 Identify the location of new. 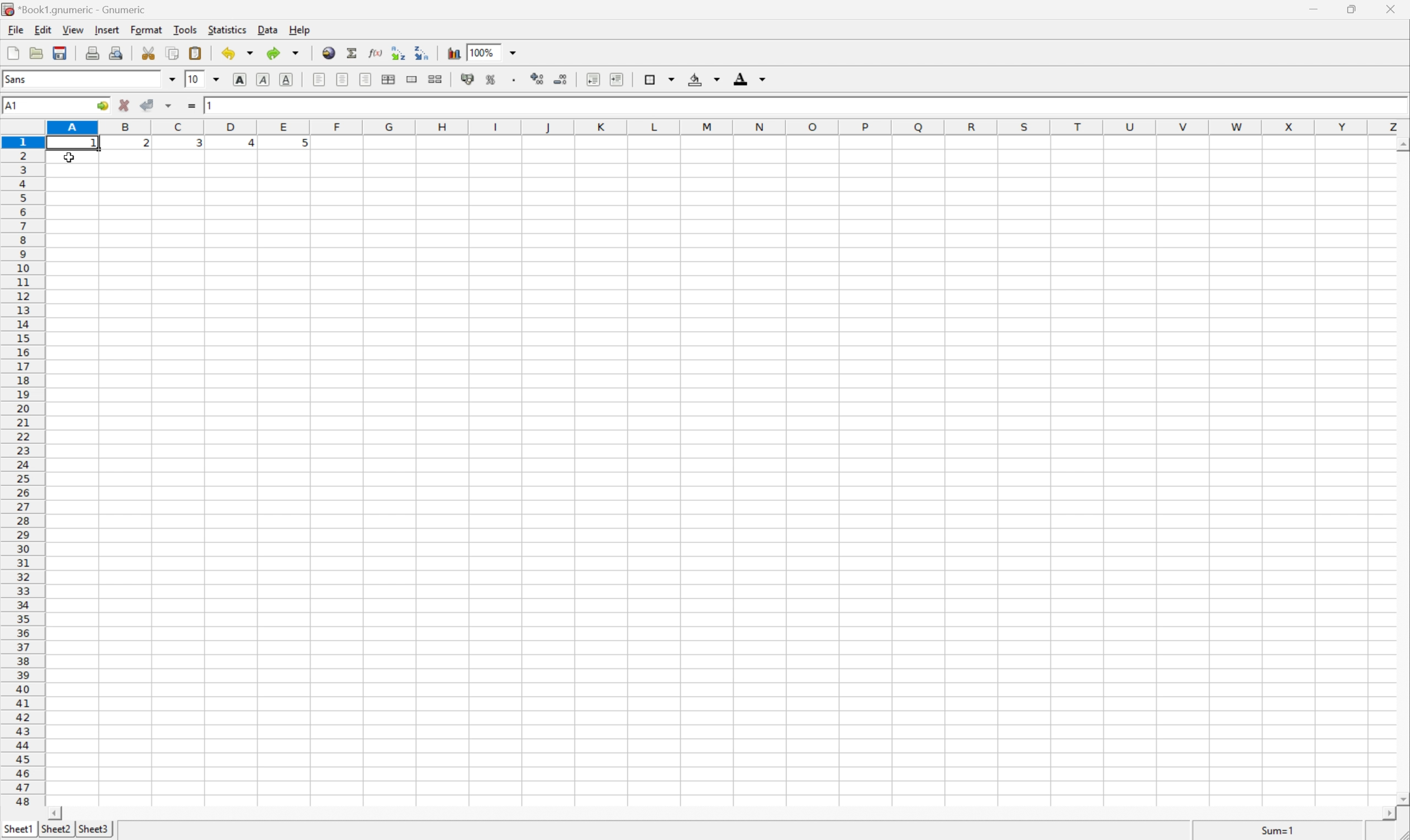
(14, 52).